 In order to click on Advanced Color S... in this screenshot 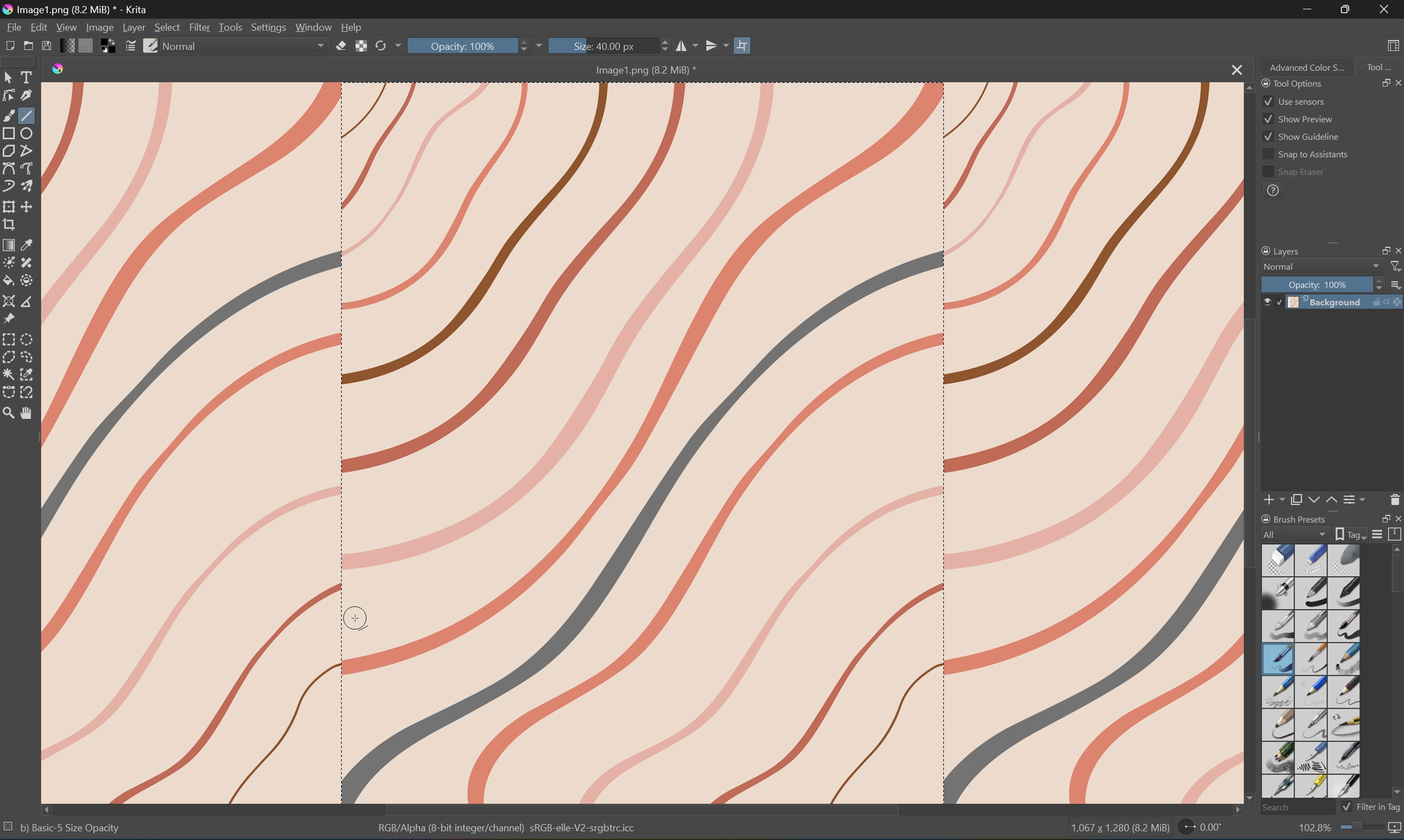, I will do `click(1308, 68)`.